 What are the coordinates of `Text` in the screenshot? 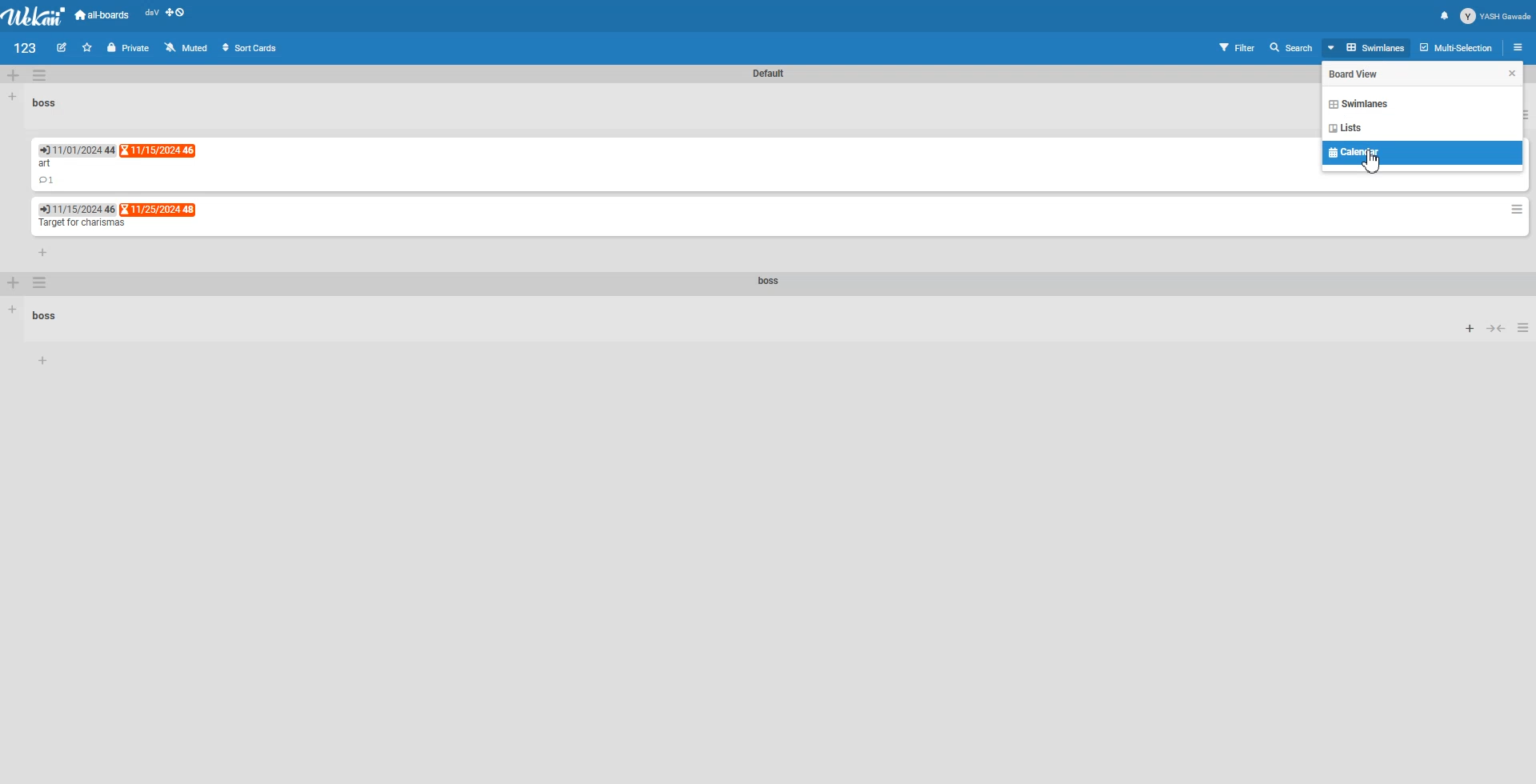 It's located at (770, 282).